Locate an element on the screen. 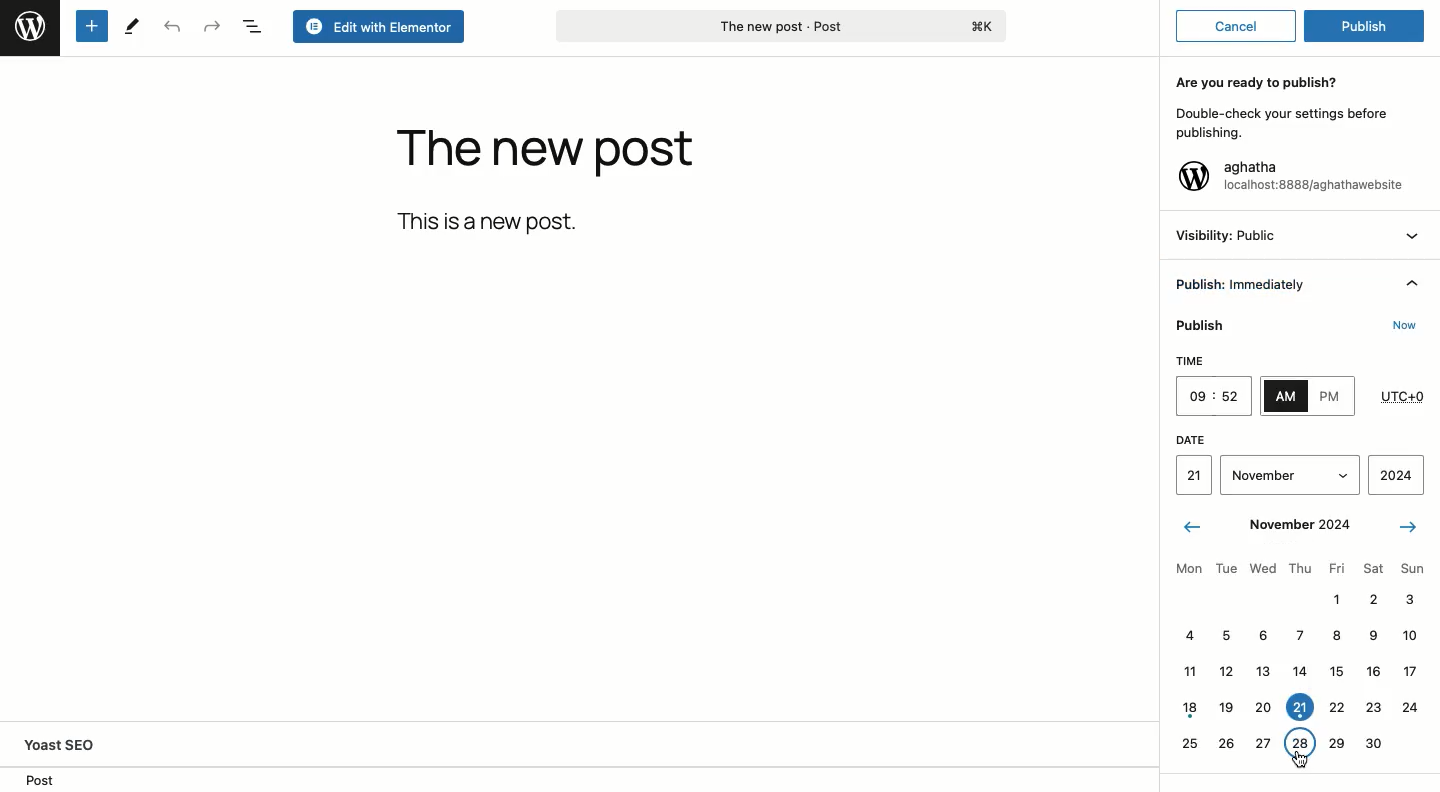  14 is located at coordinates (1298, 670).